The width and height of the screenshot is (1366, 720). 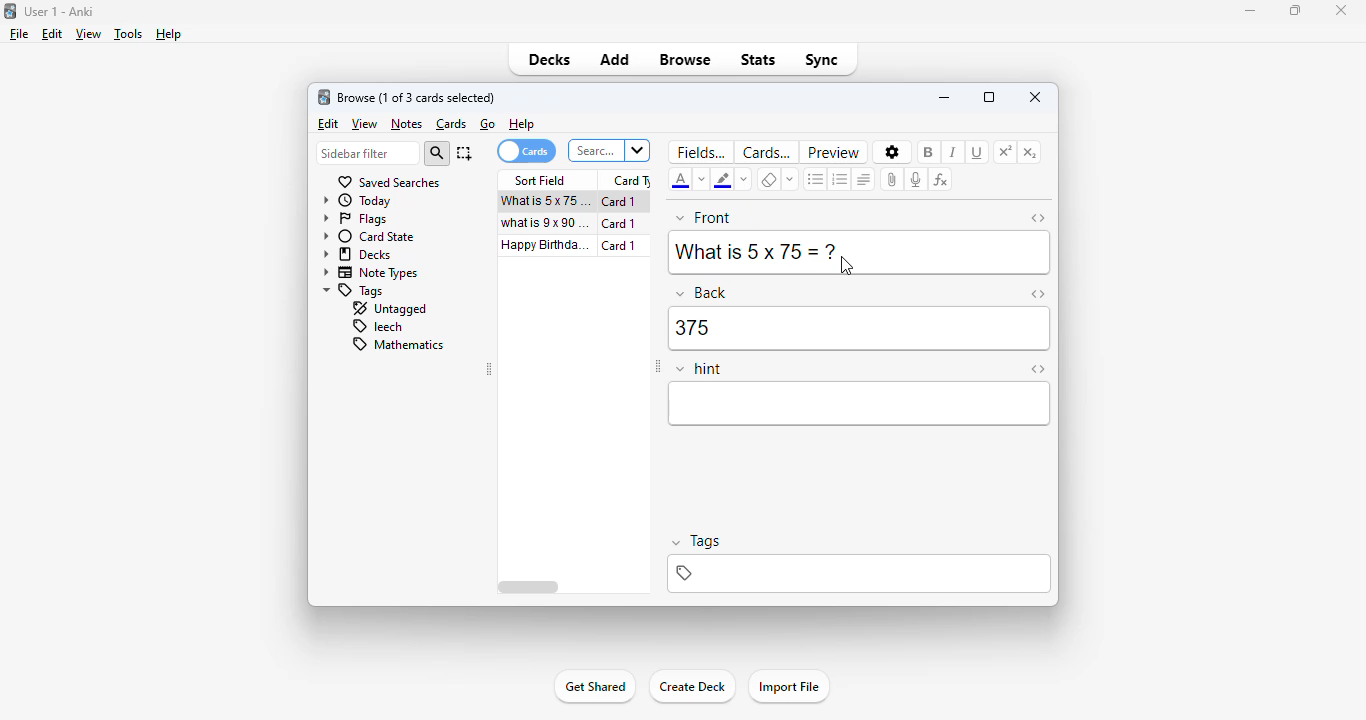 What do you see at coordinates (835, 152) in the screenshot?
I see `preview` at bounding box center [835, 152].